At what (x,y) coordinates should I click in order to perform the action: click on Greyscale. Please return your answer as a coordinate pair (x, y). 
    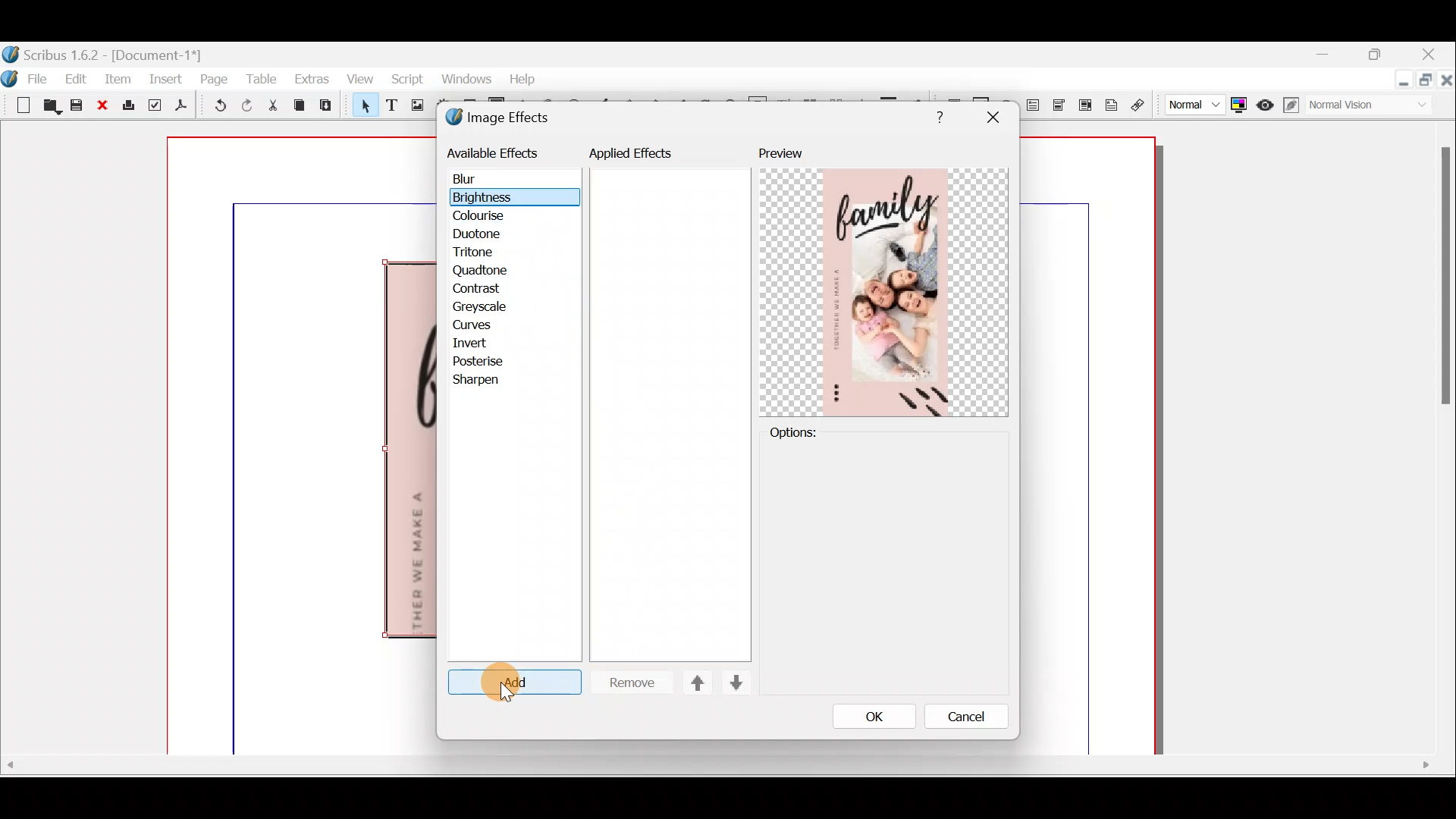
    Looking at the image, I should click on (485, 308).